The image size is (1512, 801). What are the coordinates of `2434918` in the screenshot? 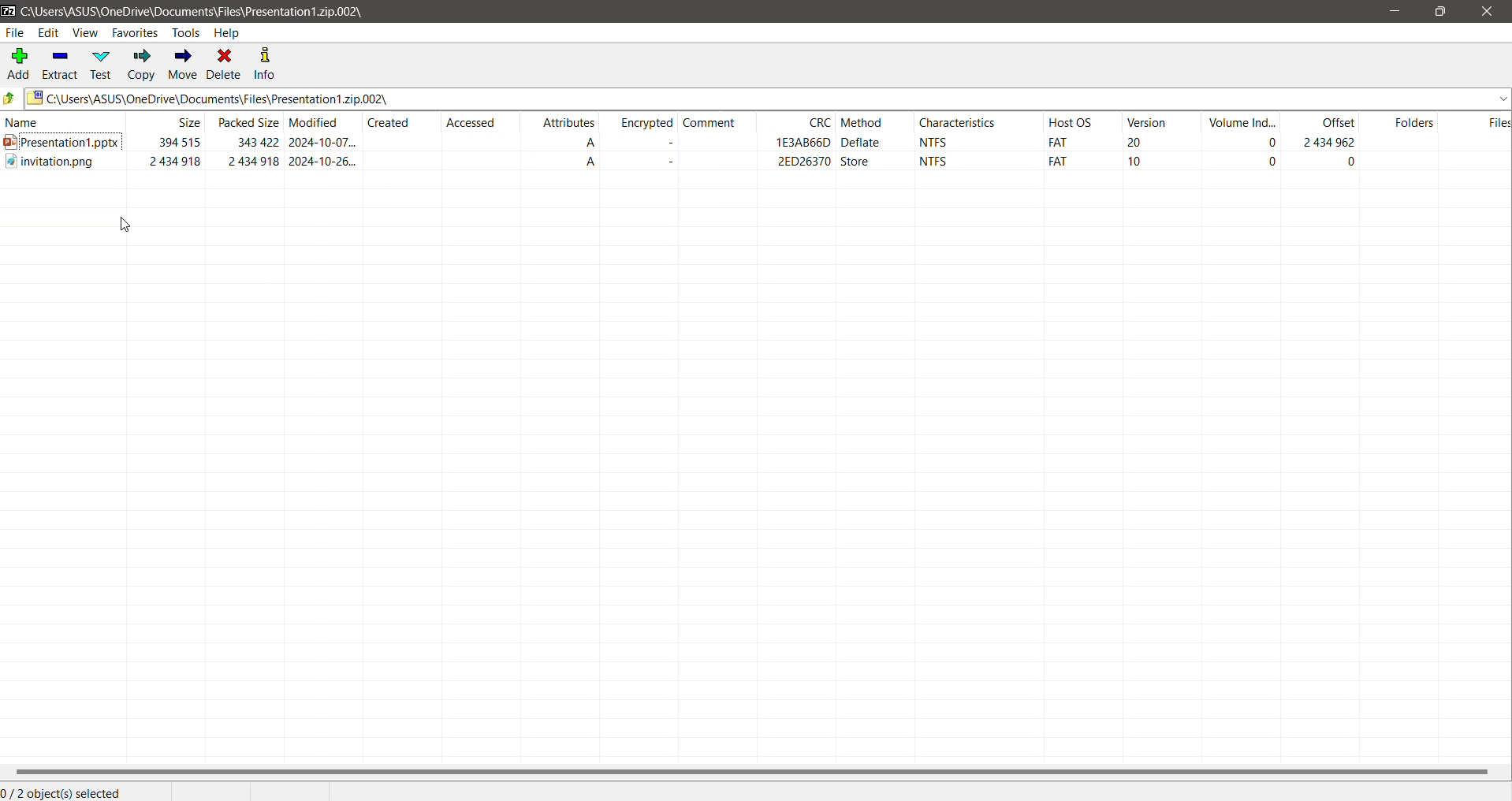 It's located at (174, 161).